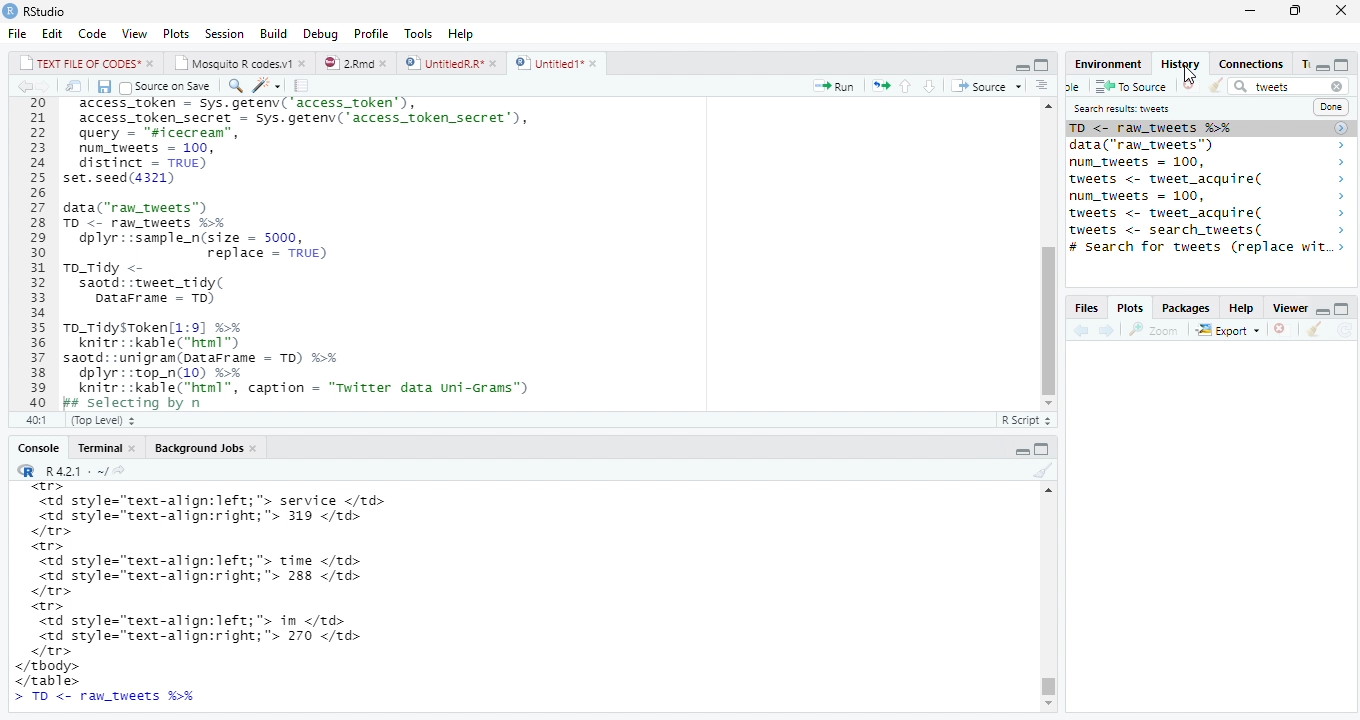 Image resolution: width=1360 pixels, height=720 pixels. What do you see at coordinates (301, 85) in the screenshot?
I see `compile report` at bounding box center [301, 85].